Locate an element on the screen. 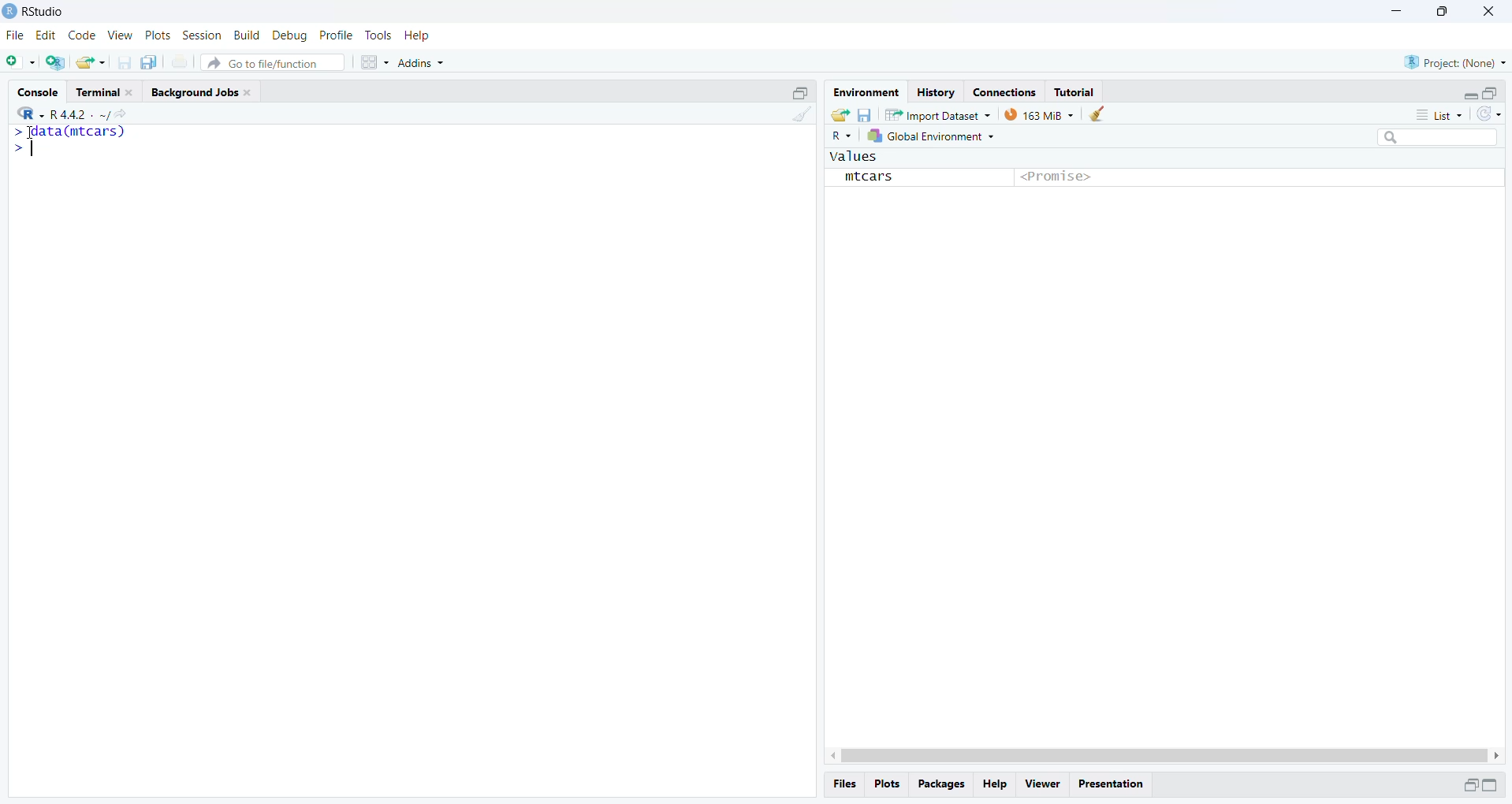 The height and width of the screenshot is (804, 1512). viewer is located at coordinates (1045, 784).